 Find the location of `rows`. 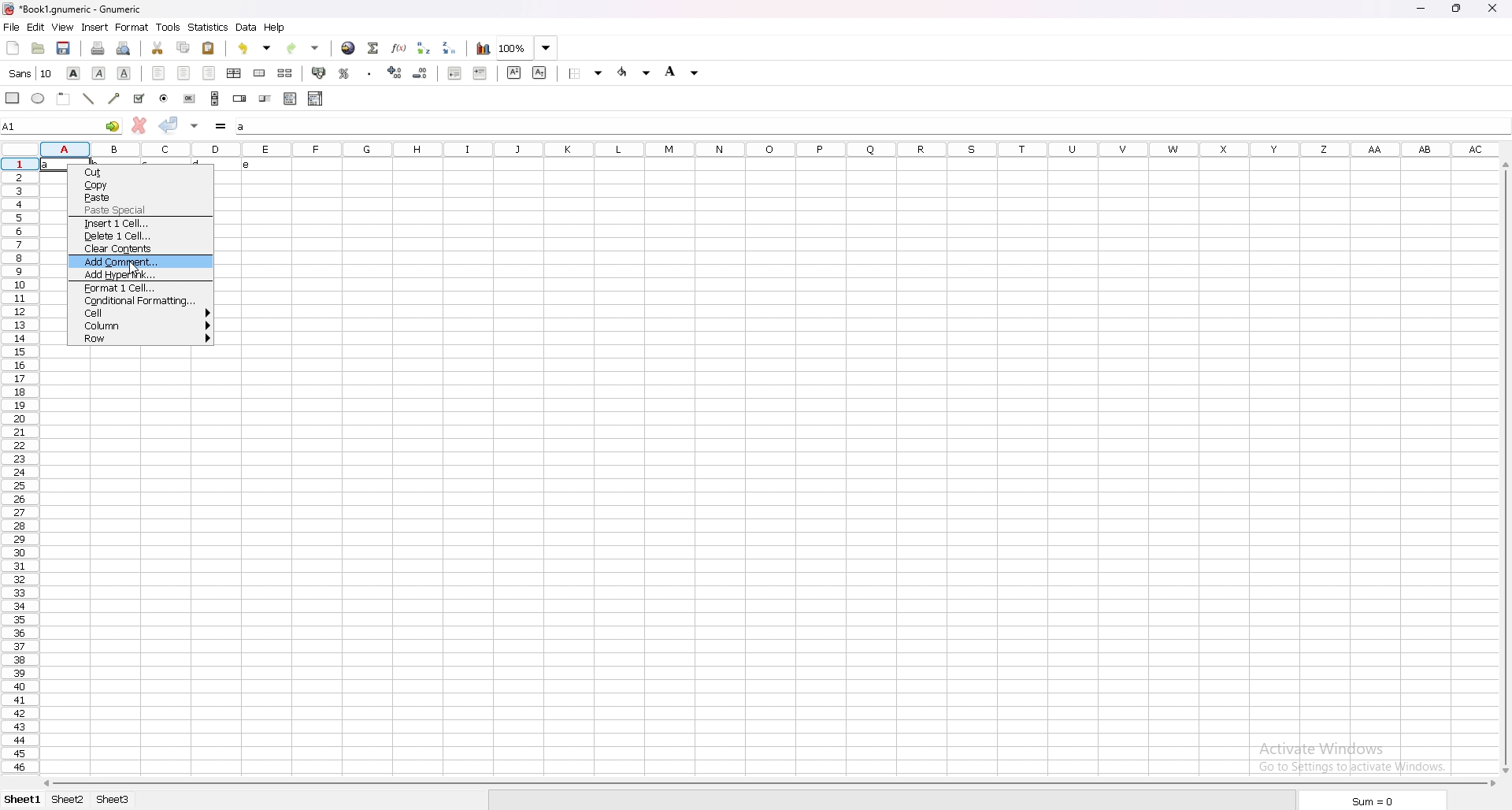

rows is located at coordinates (20, 466).